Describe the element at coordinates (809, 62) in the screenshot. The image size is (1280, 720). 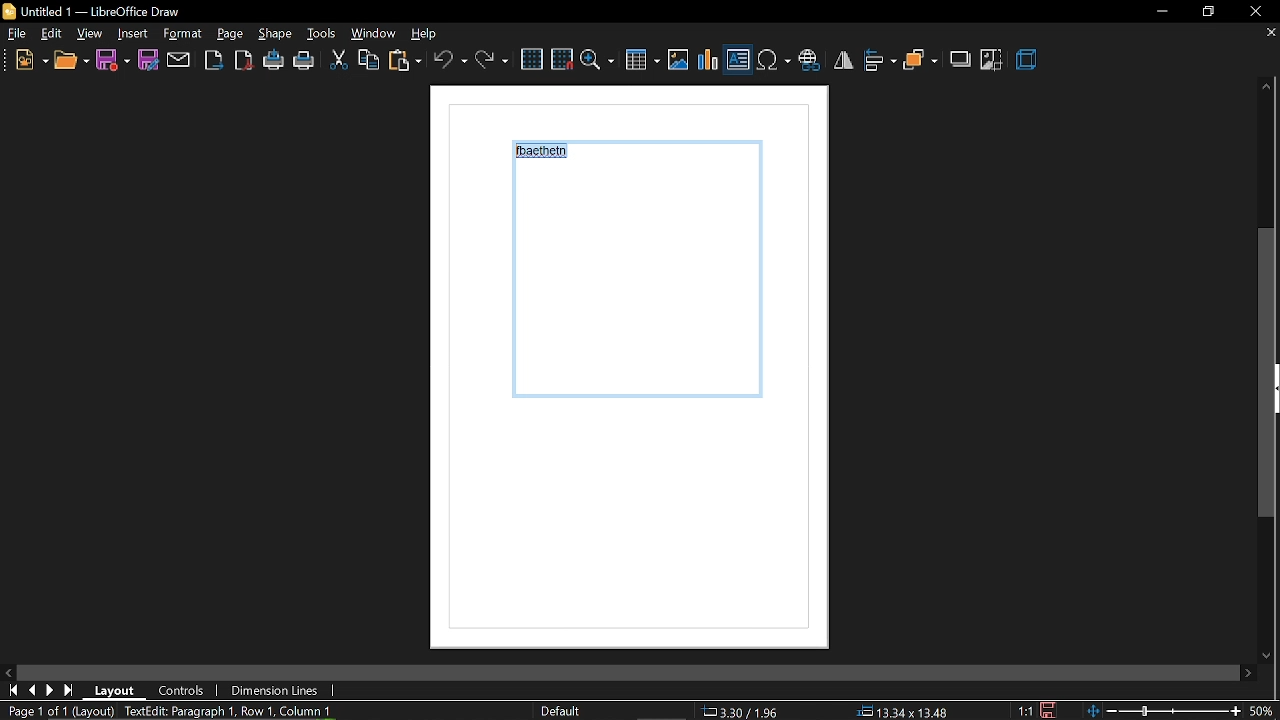
I see `insert hyperlink` at that location.